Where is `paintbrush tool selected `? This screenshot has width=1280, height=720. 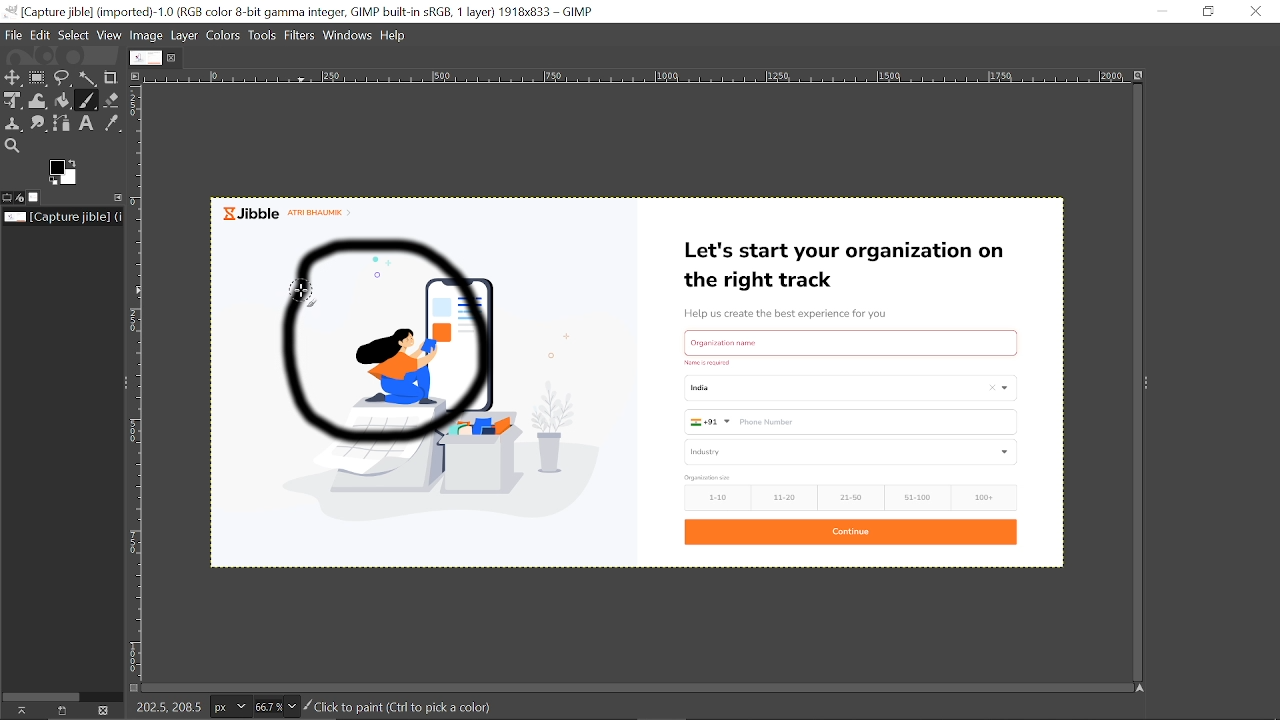
paintbrush tool selected  is located at coordinates (309, 294).